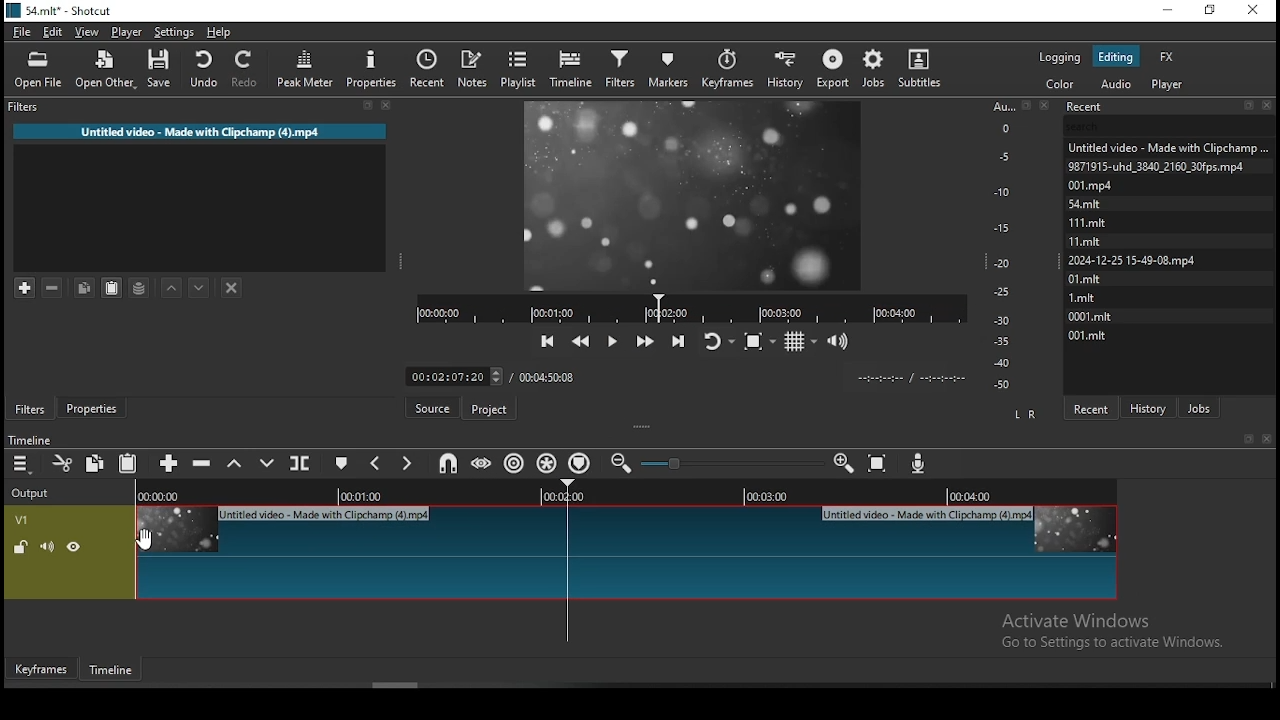 The height and width of the screenshot is (720, 1280). What do you see at coordinates (1267, 438) in the screenshot?
I see `close` at bounding box center [1267, 438].